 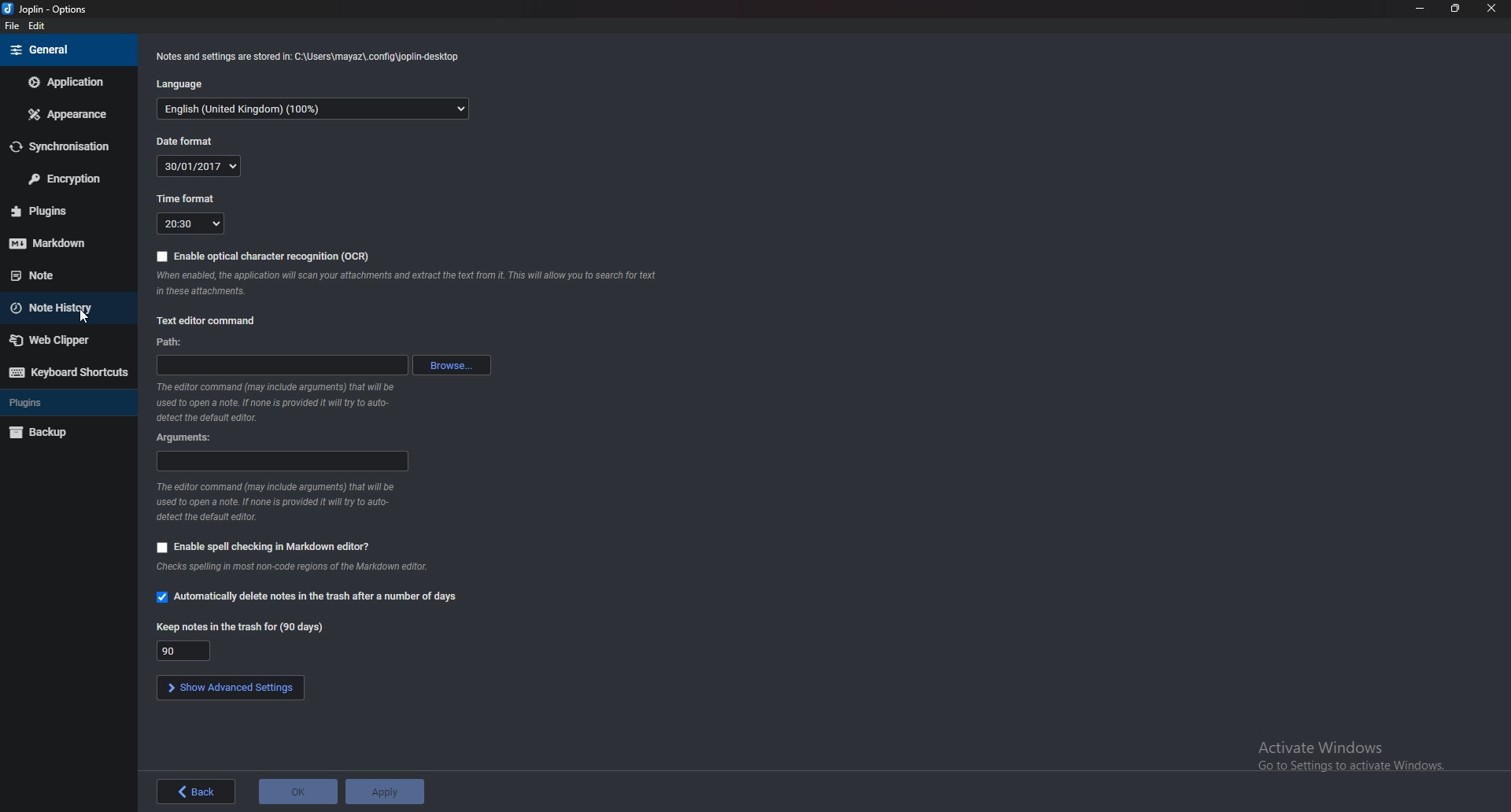 I want to click on path, so click(x=280, y=366).